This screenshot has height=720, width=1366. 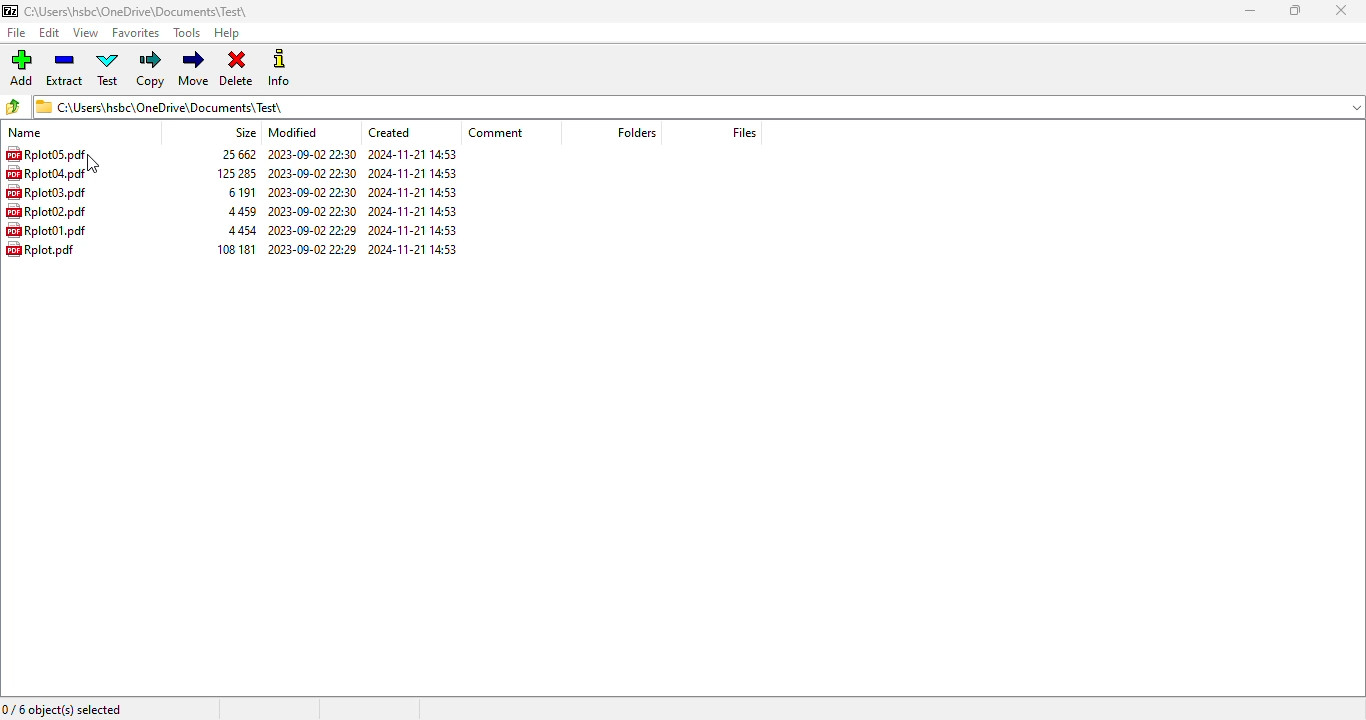 What do you see at coordinates (413, 231) in the screenshot?
I see `created date & time` at bounding box center [413, 231].